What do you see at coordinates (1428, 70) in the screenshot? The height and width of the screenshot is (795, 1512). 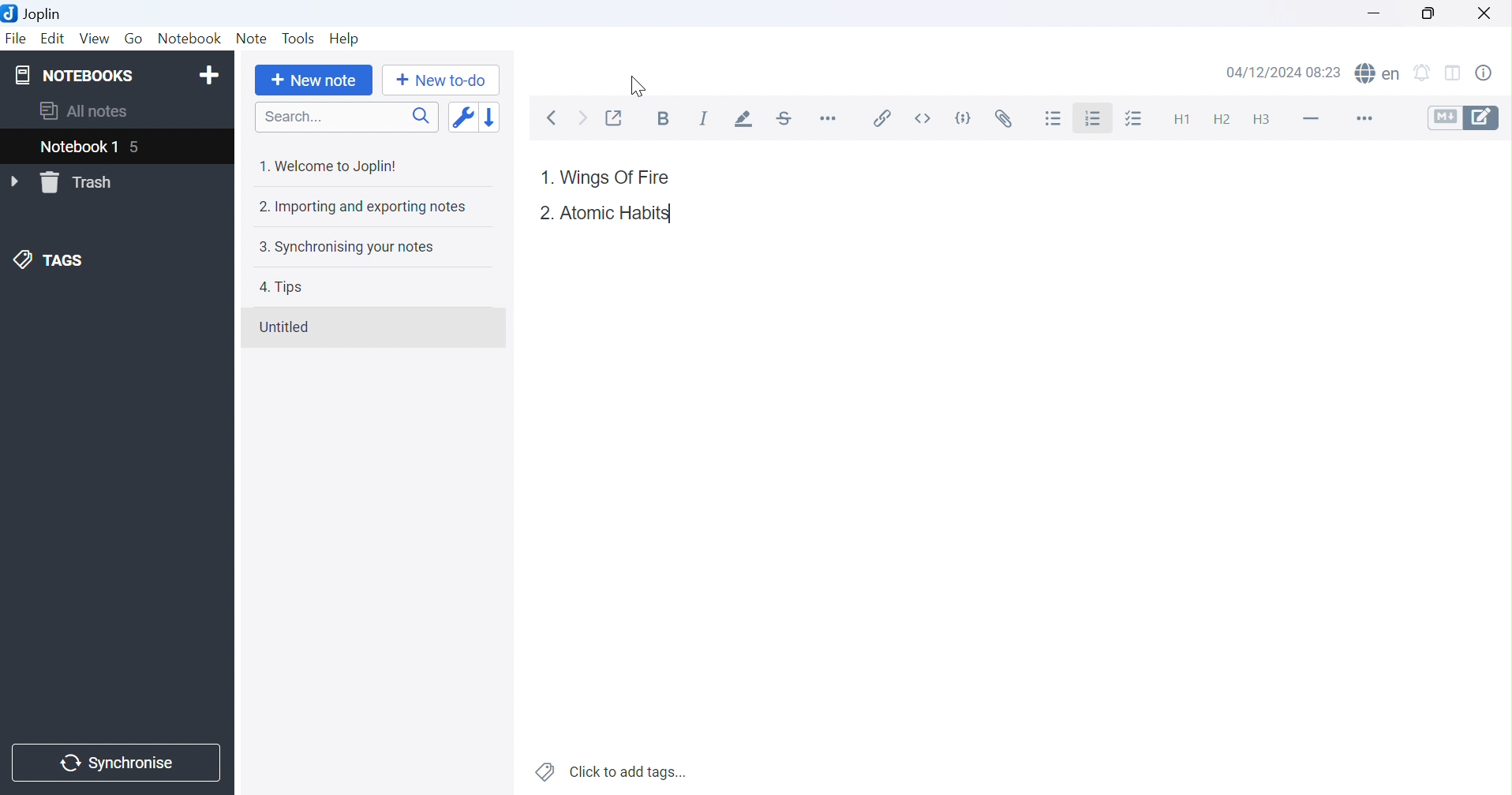 I see `Set alarm` at bounding box center [1428, 70].